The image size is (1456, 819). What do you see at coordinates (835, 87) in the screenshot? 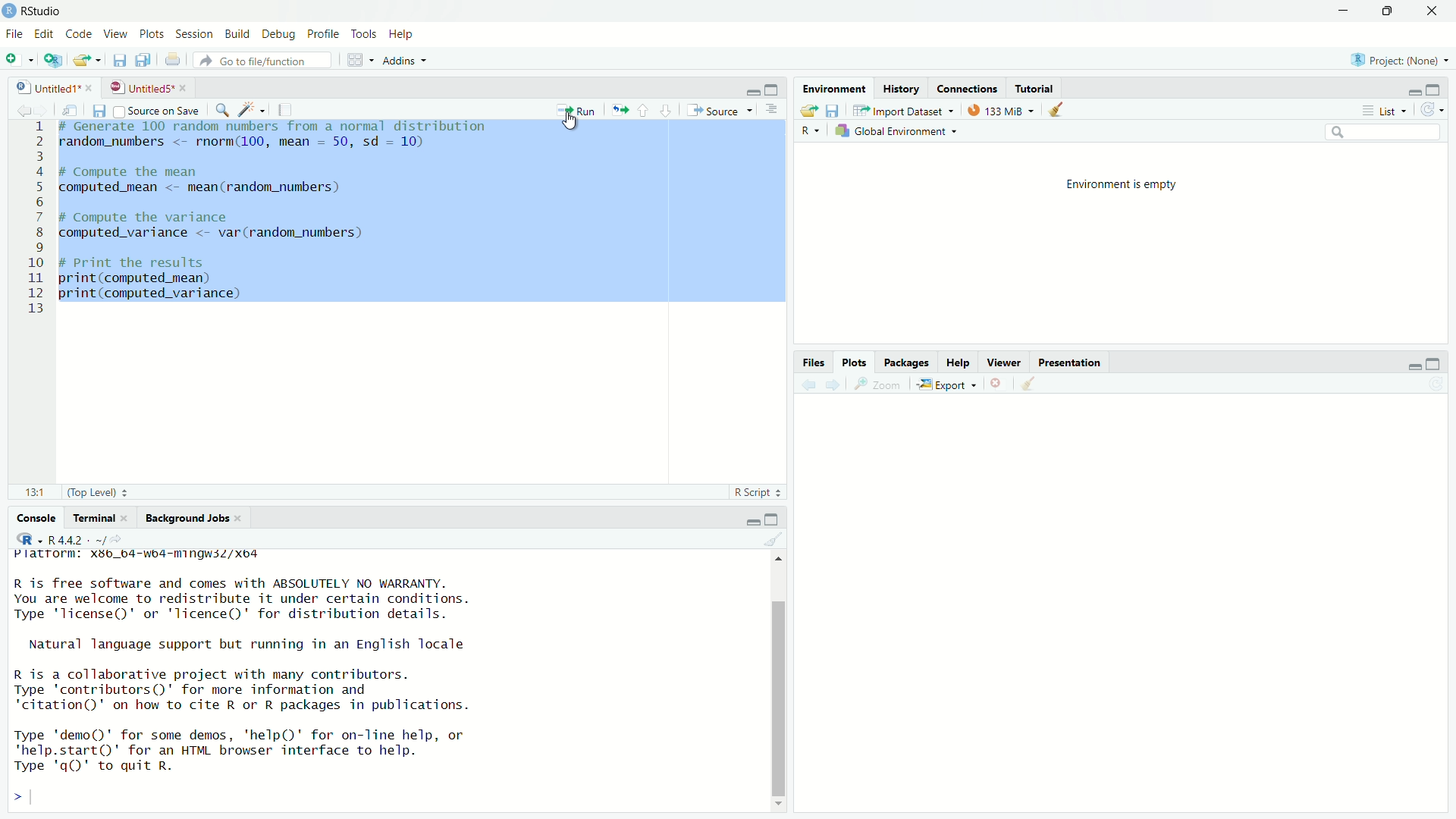
I see `environment` at bounding box center [835, 87].